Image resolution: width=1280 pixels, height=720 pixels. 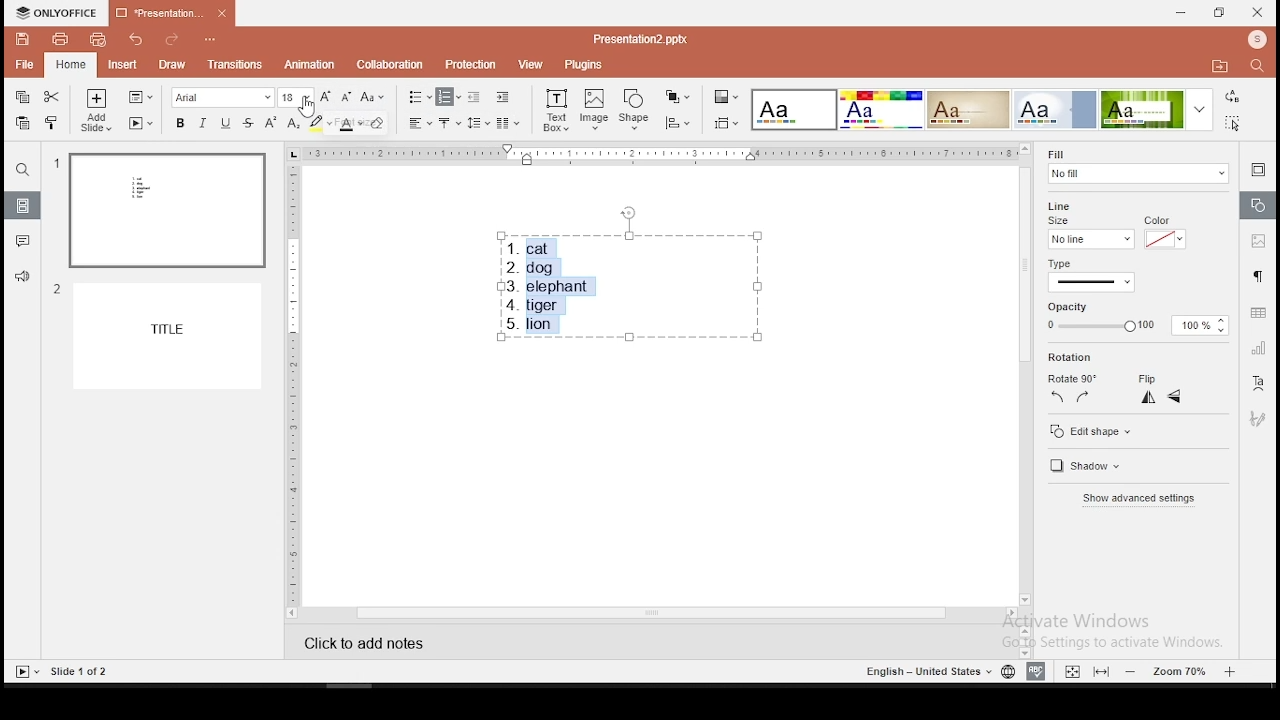 What do you see at coordinates (200, 125) in the screenshot?
I see `italics` at bounding box center [200, 125].